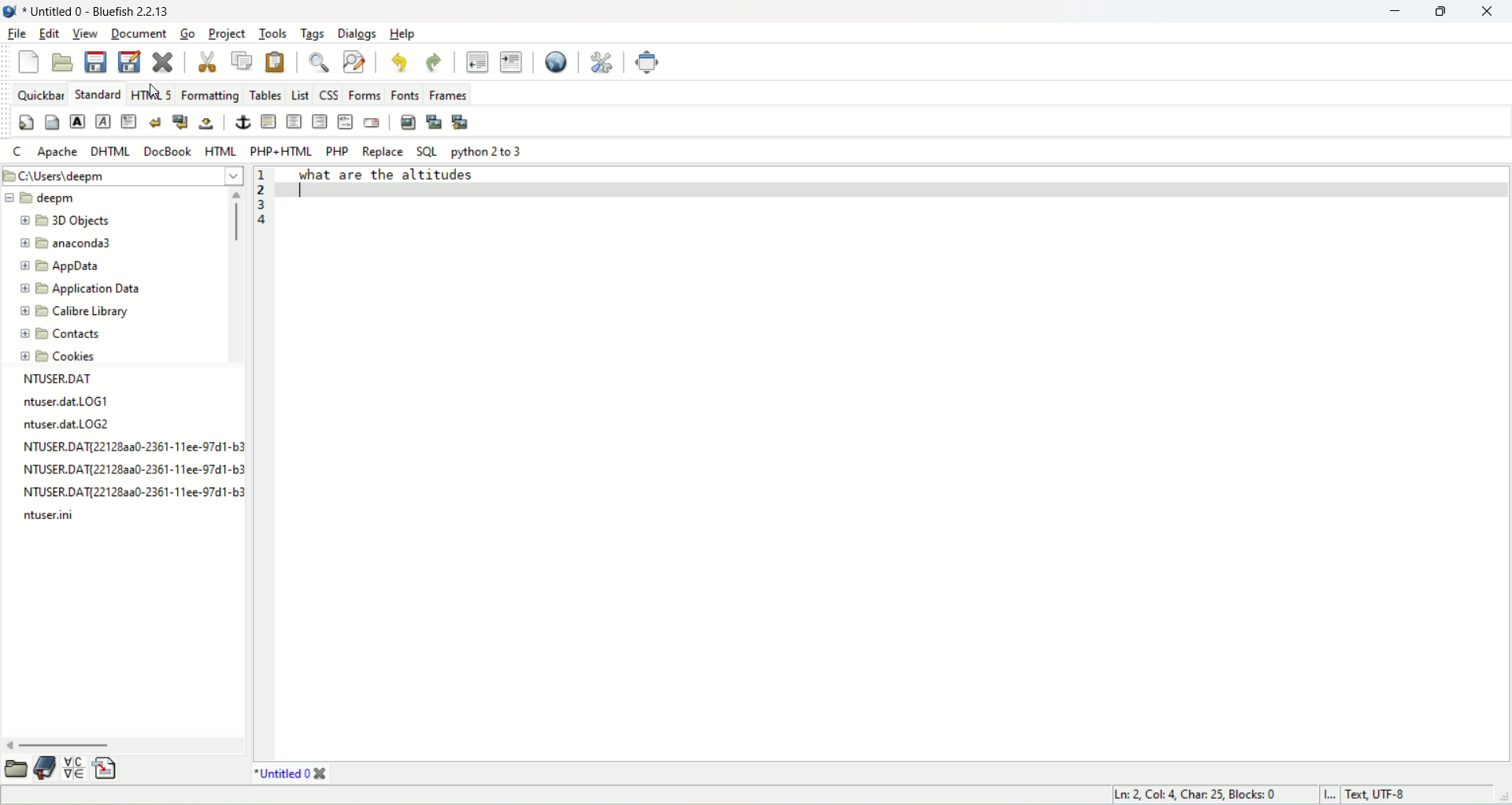 This screenshot has height=805, width=1512. I want to click on quickbar, so click(42, 95).